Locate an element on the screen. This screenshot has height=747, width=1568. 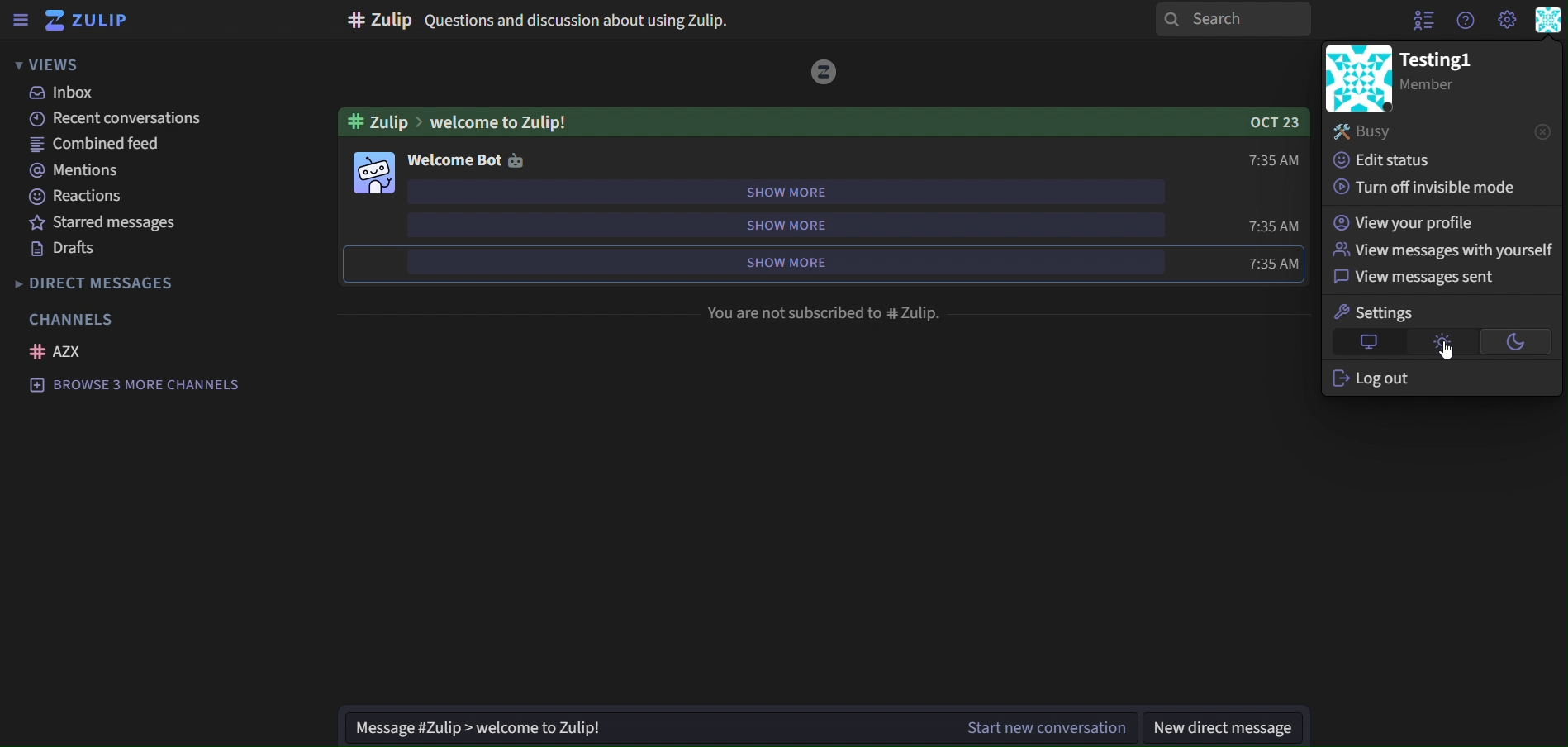
view your profile is located at coordinates (1412, 224).